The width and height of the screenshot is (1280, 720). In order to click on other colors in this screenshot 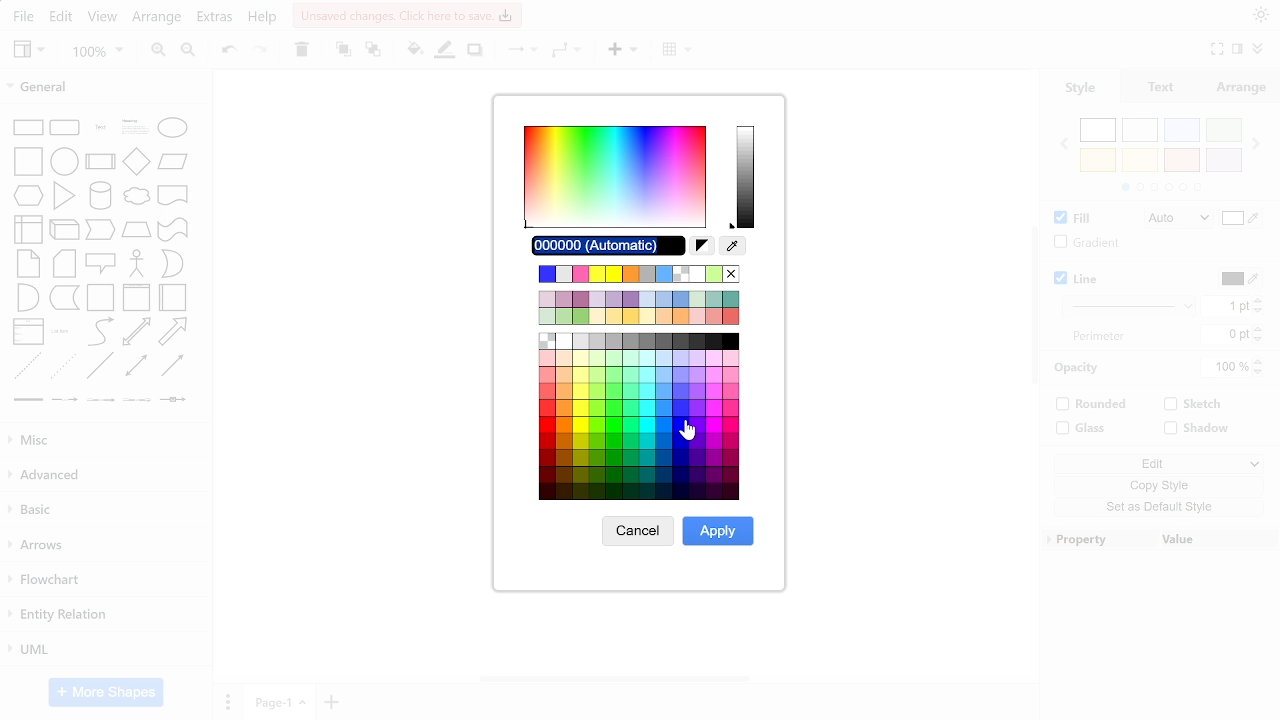, I will do `click(638, 308)`.